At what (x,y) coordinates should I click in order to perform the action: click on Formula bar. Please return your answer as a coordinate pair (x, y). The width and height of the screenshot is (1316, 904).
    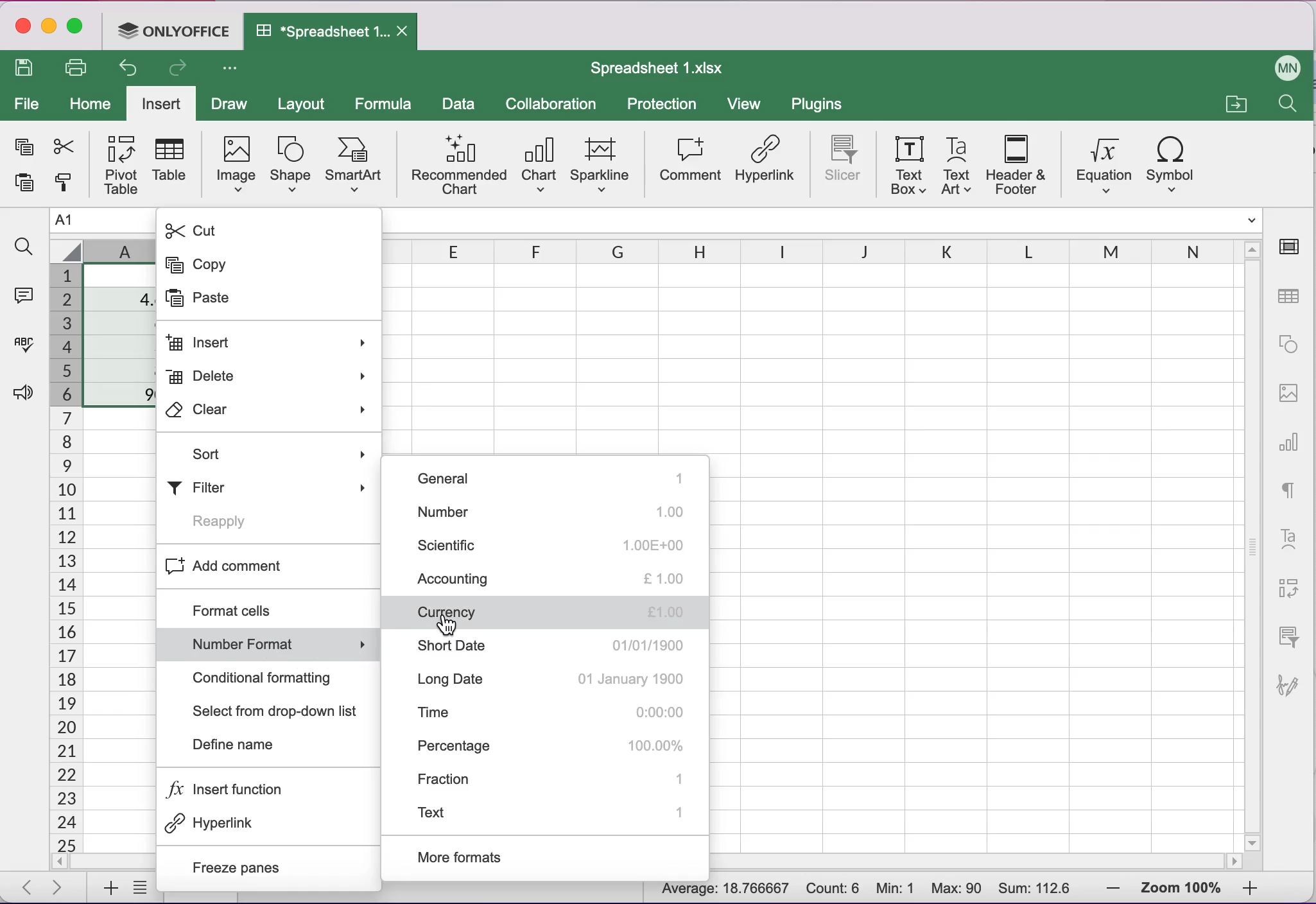
    Looking at the image, I should click on (824, 222).